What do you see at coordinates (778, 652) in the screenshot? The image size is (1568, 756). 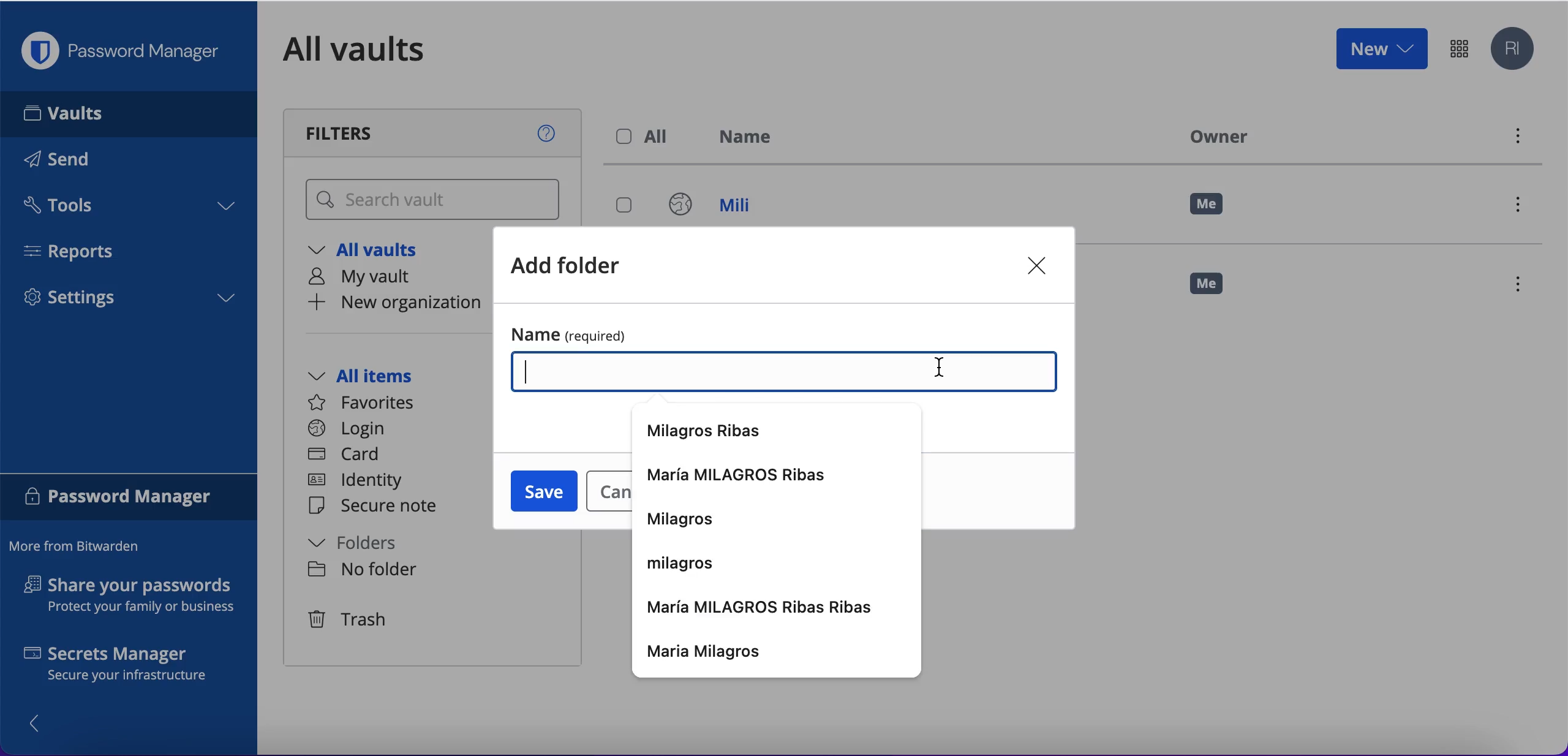 I see `maria milagros` at bounding box center [778, 652].